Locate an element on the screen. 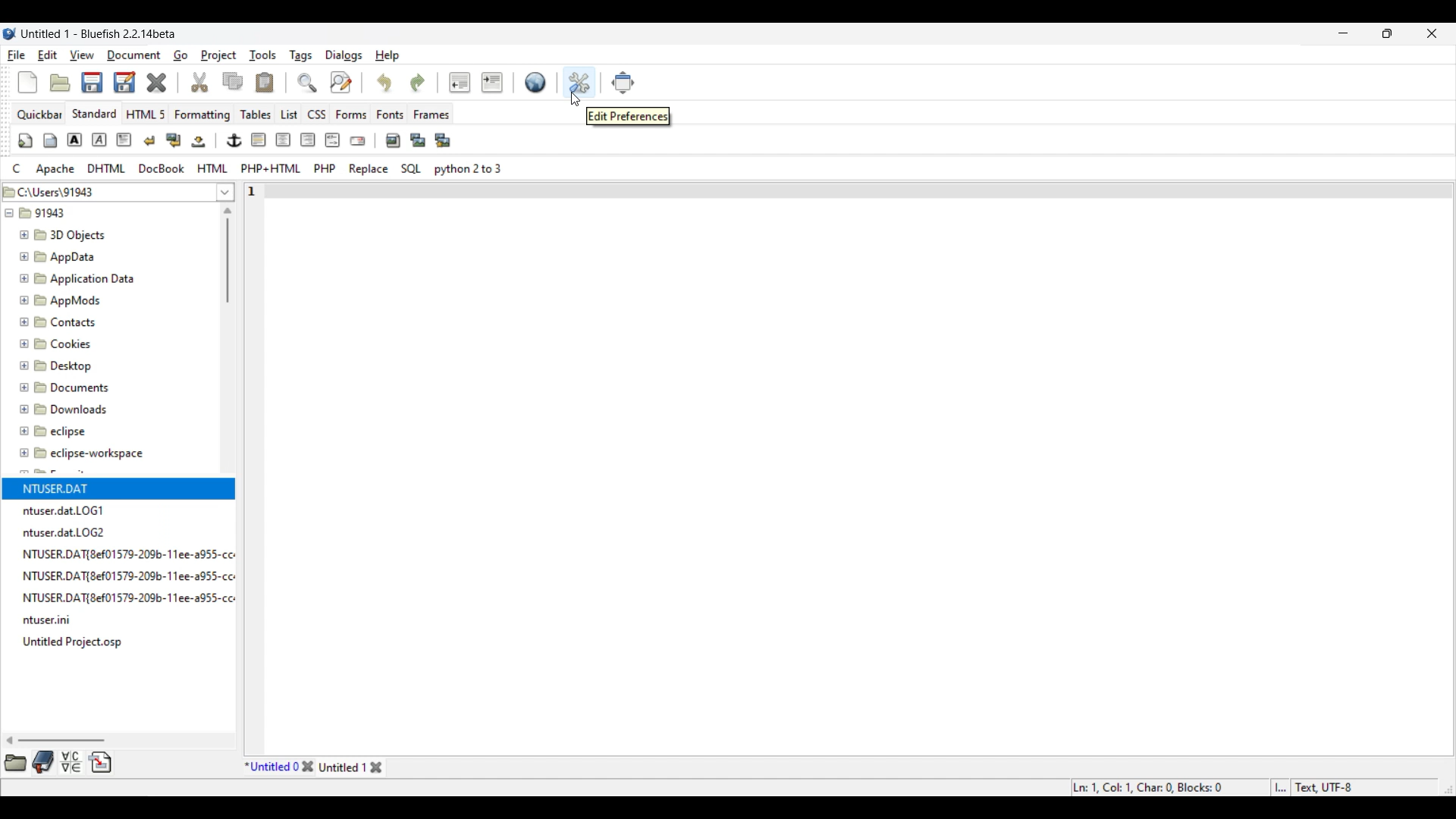 Image resolution: width=1456 pixels, height=819 pixels. Default settings is located at coordinates (536, 82).